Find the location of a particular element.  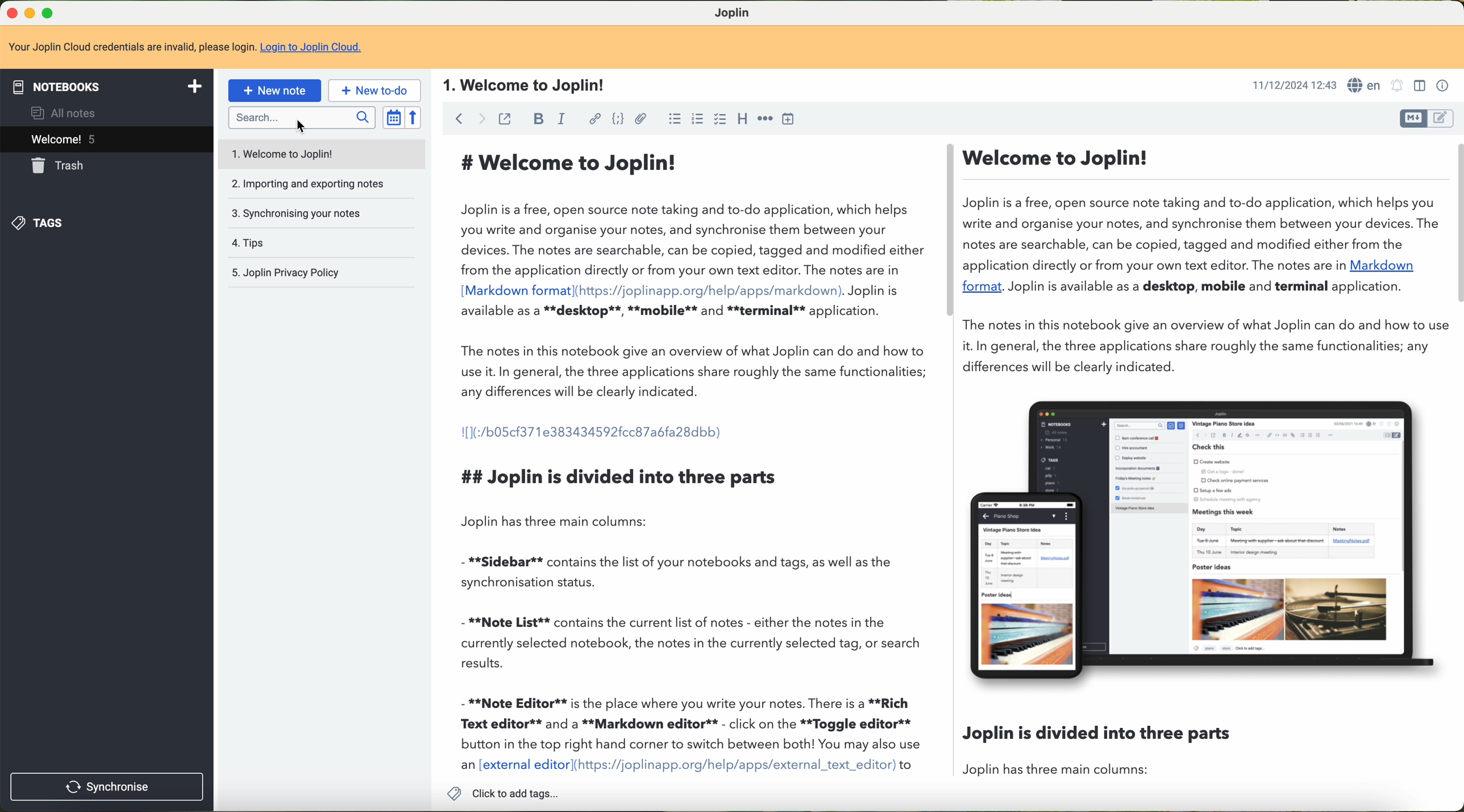

note properties is located at coordinates (1444, 85).